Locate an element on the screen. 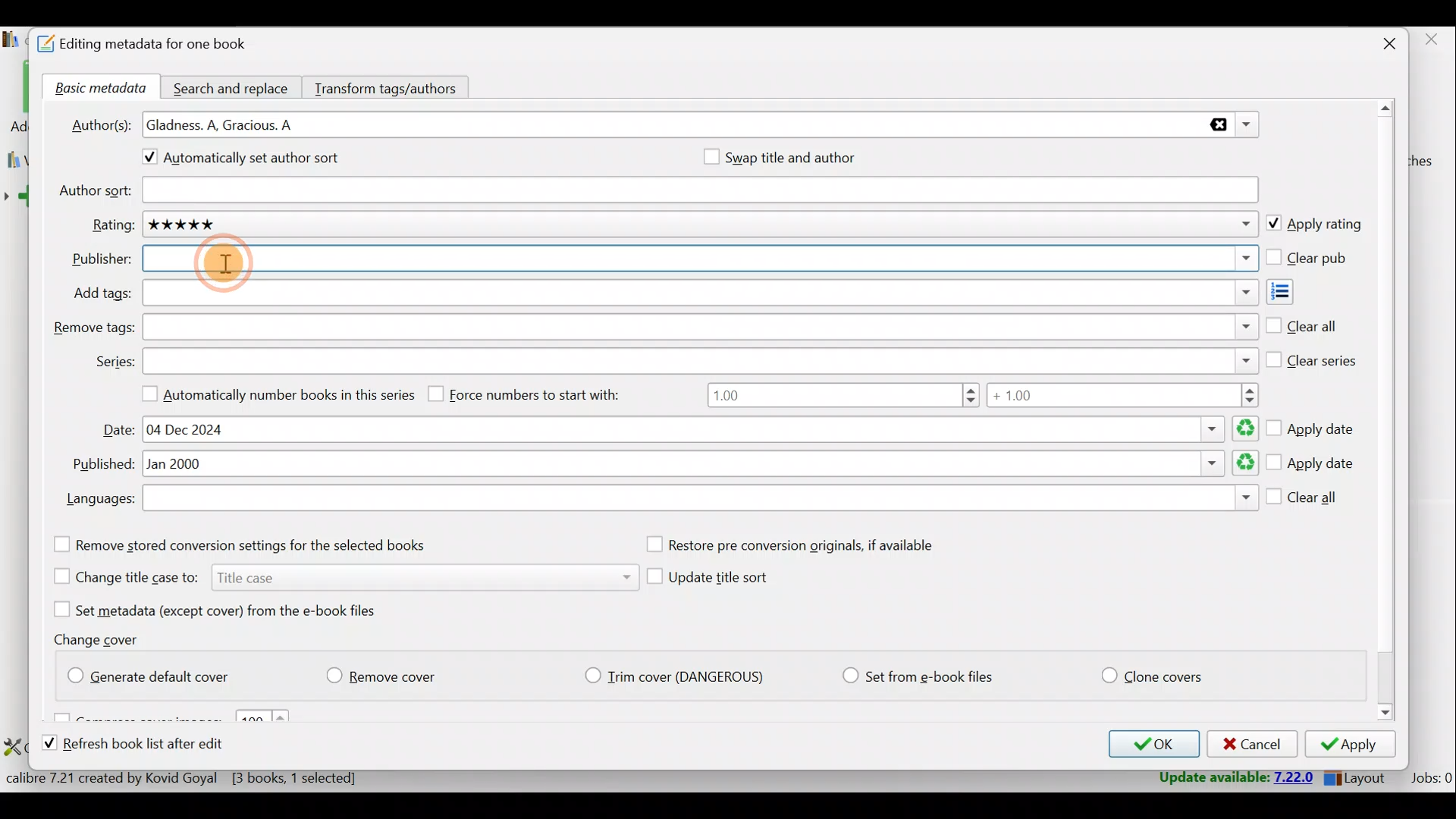 Image resolution: width=1456 pixels, height=819 pixels. Change title case to is located at coordinates (339, 576).